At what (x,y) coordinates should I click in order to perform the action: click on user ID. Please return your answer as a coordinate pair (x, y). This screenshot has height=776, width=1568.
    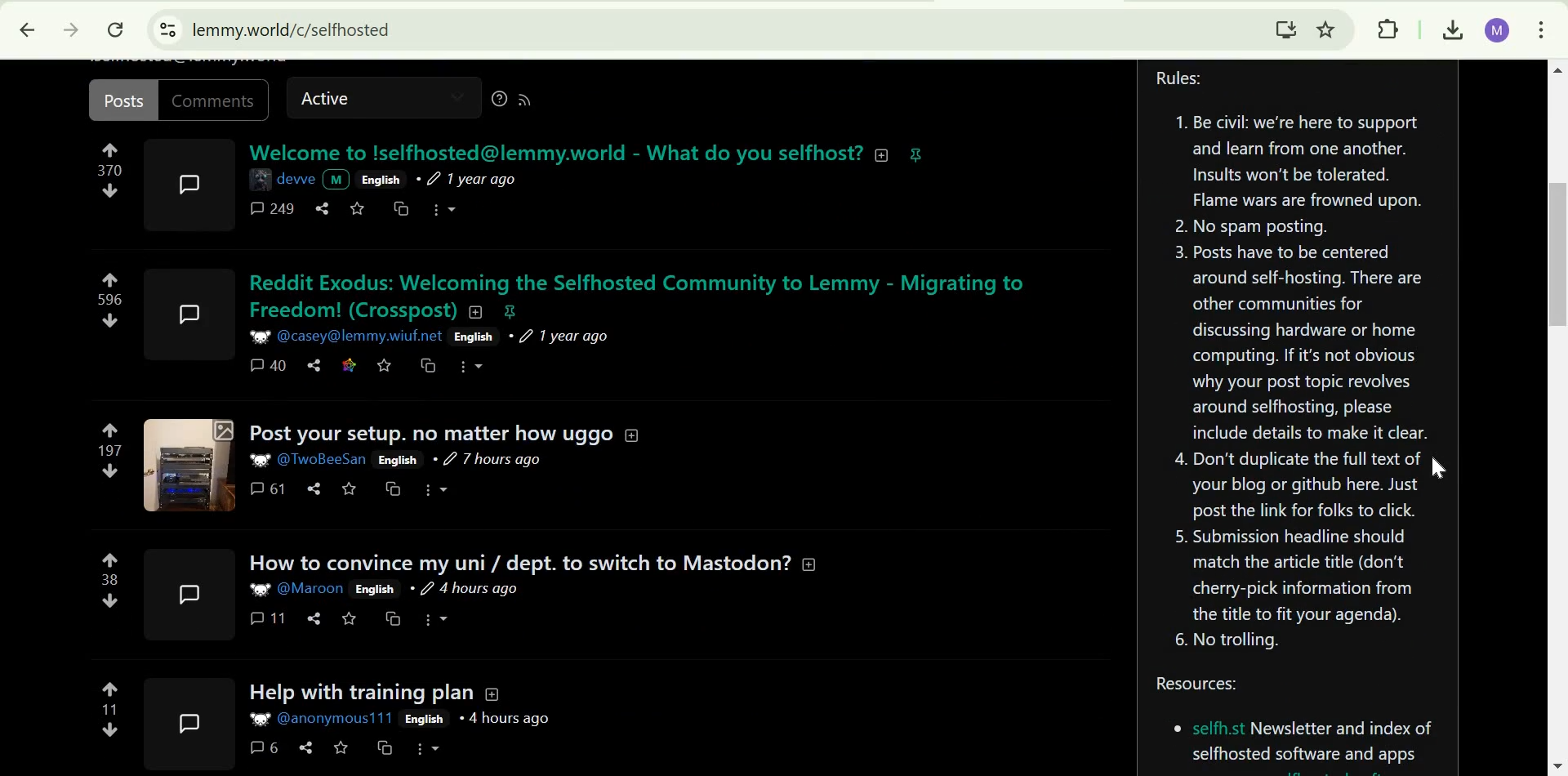
    Looking at the image, I should click on (360, 337).